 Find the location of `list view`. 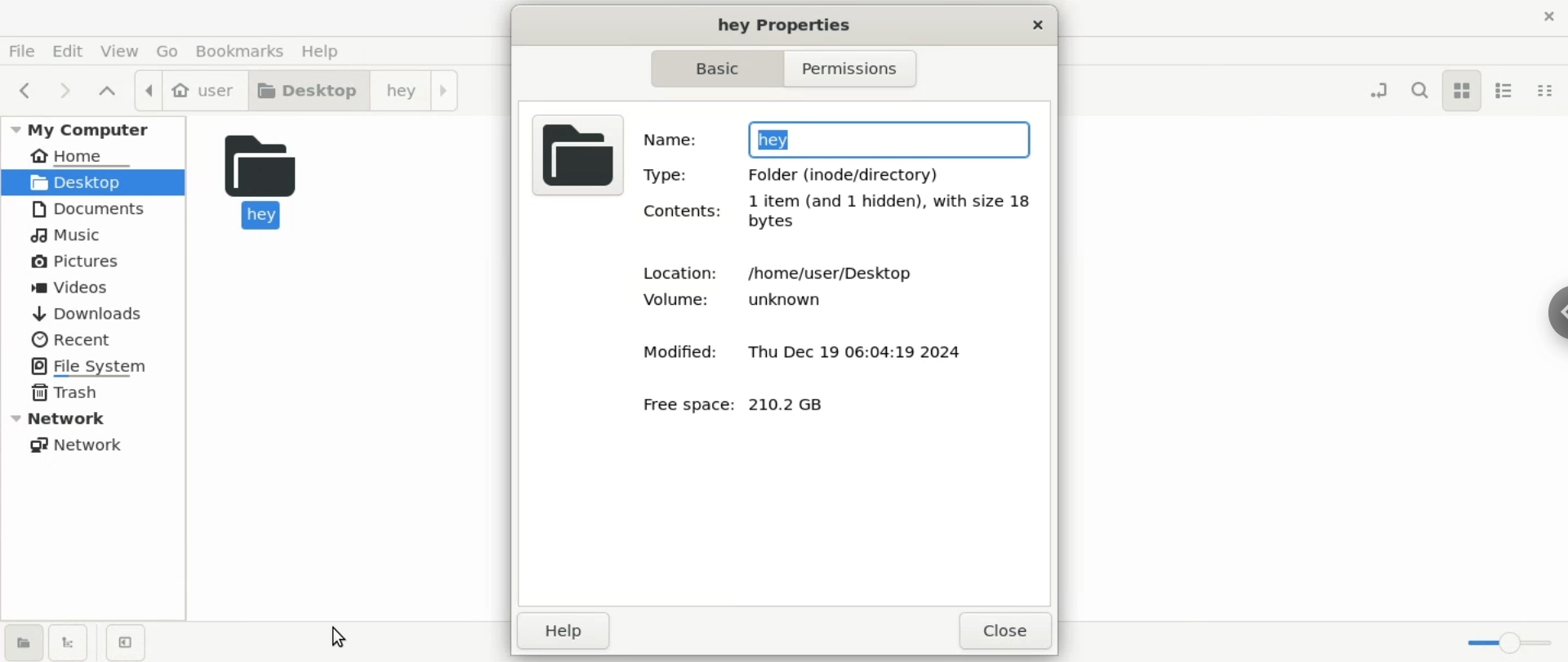

list view is located at coordinates (1503, 90).